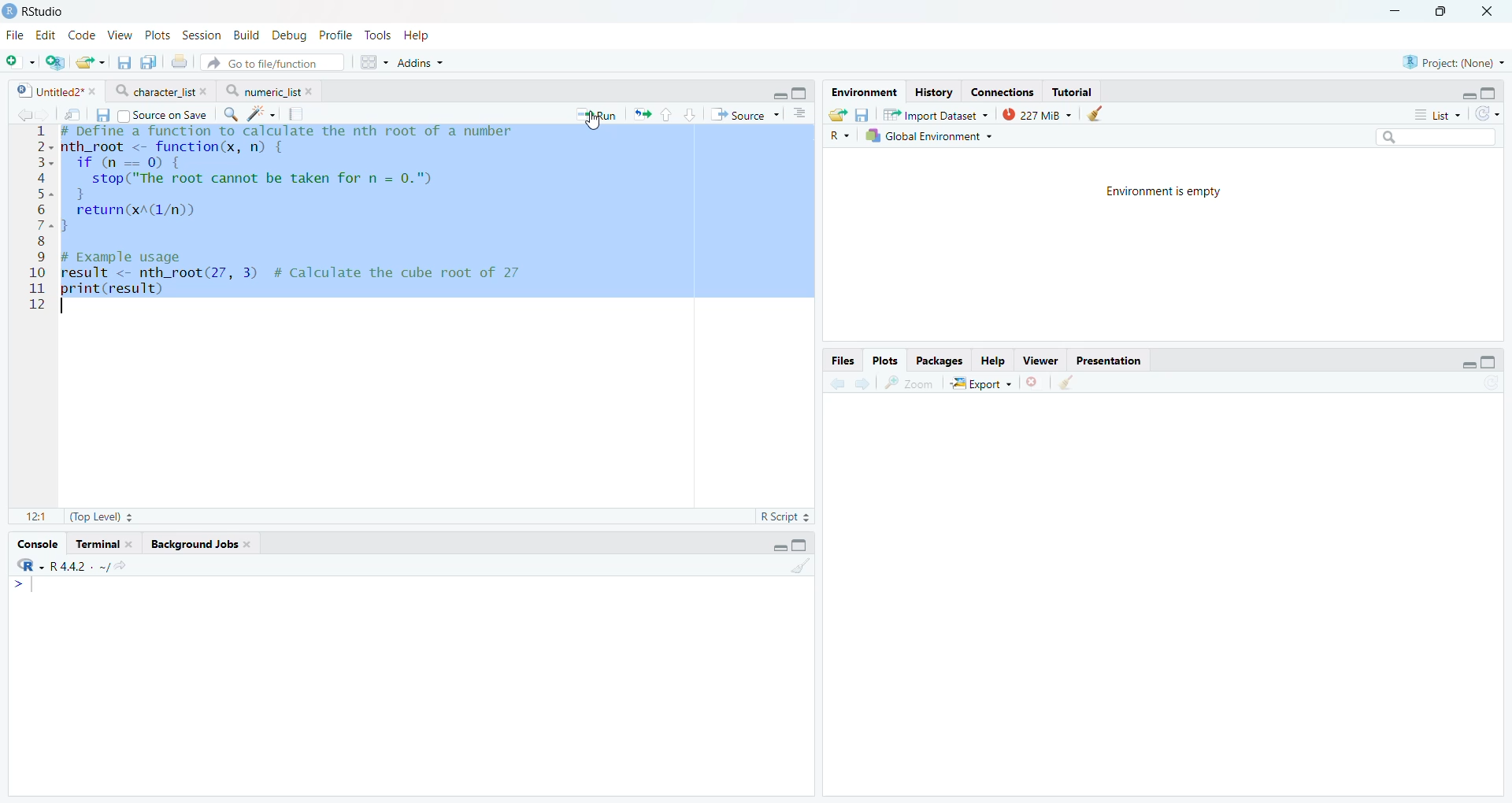  What do you see at coordinates (146, 62) in the screenshot?
I see `Save all open files` at bounding box center [146, 62].